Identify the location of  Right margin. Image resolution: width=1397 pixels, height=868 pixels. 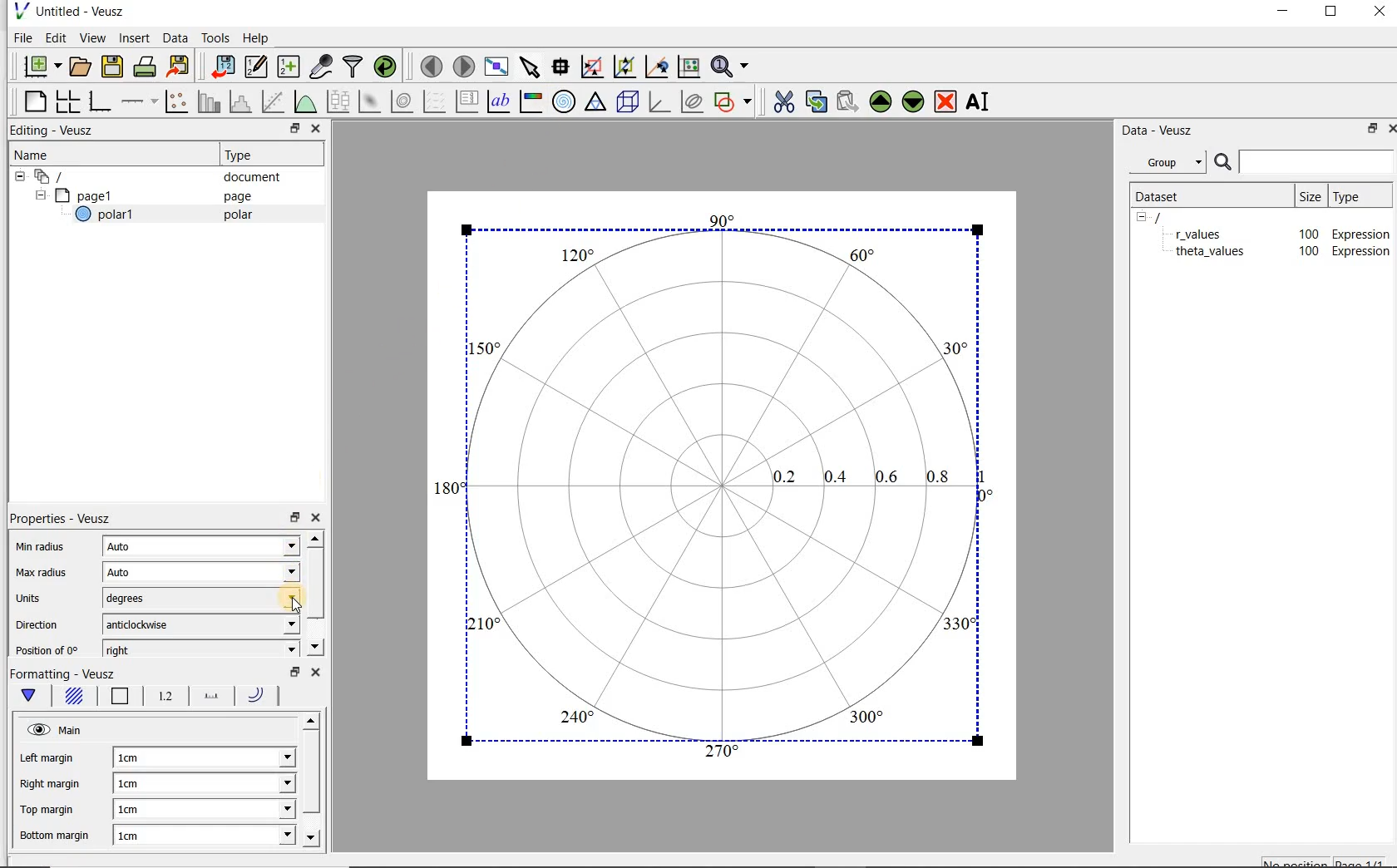
(52, 783).